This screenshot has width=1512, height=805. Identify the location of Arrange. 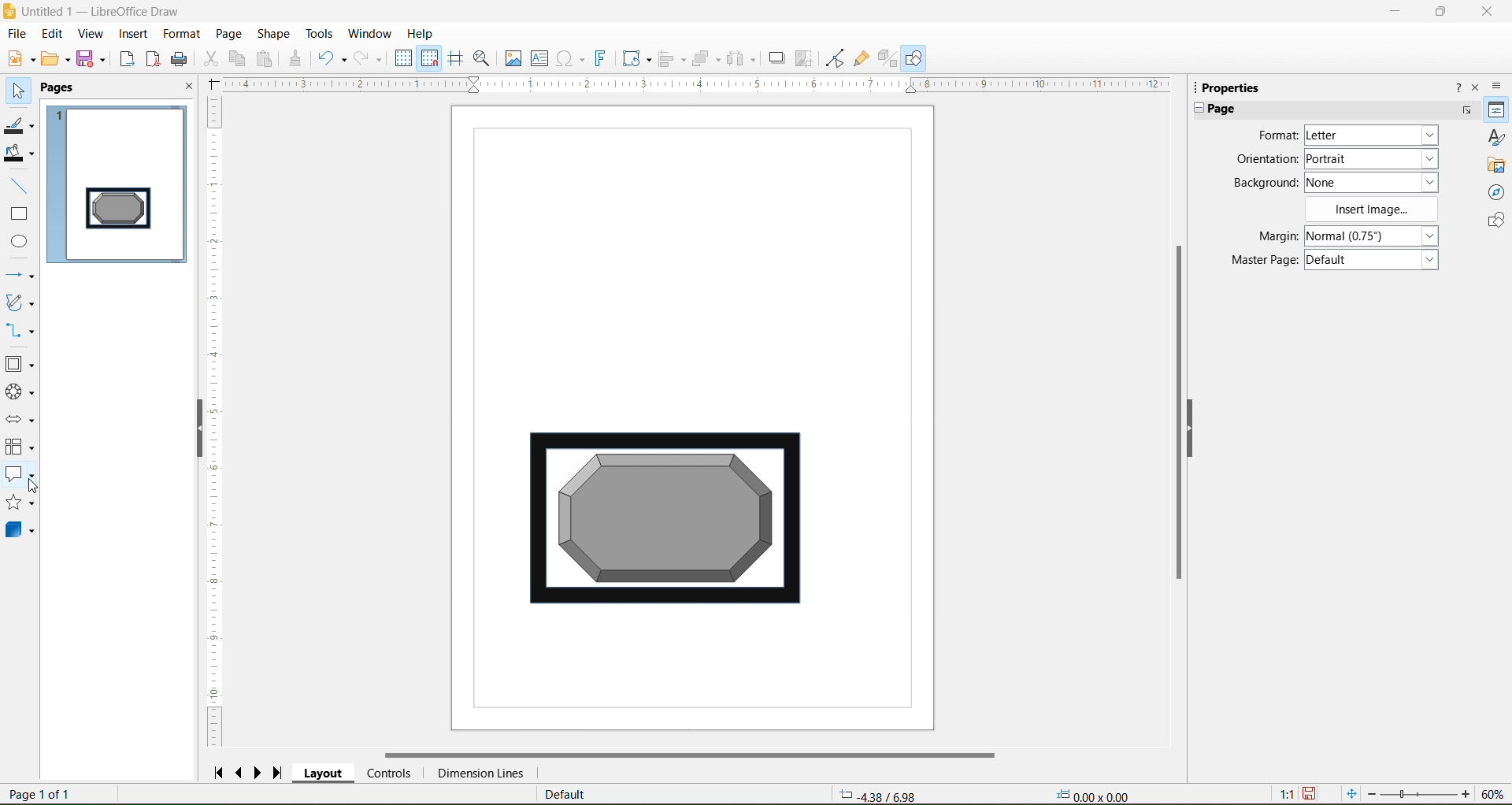
(706, 57).